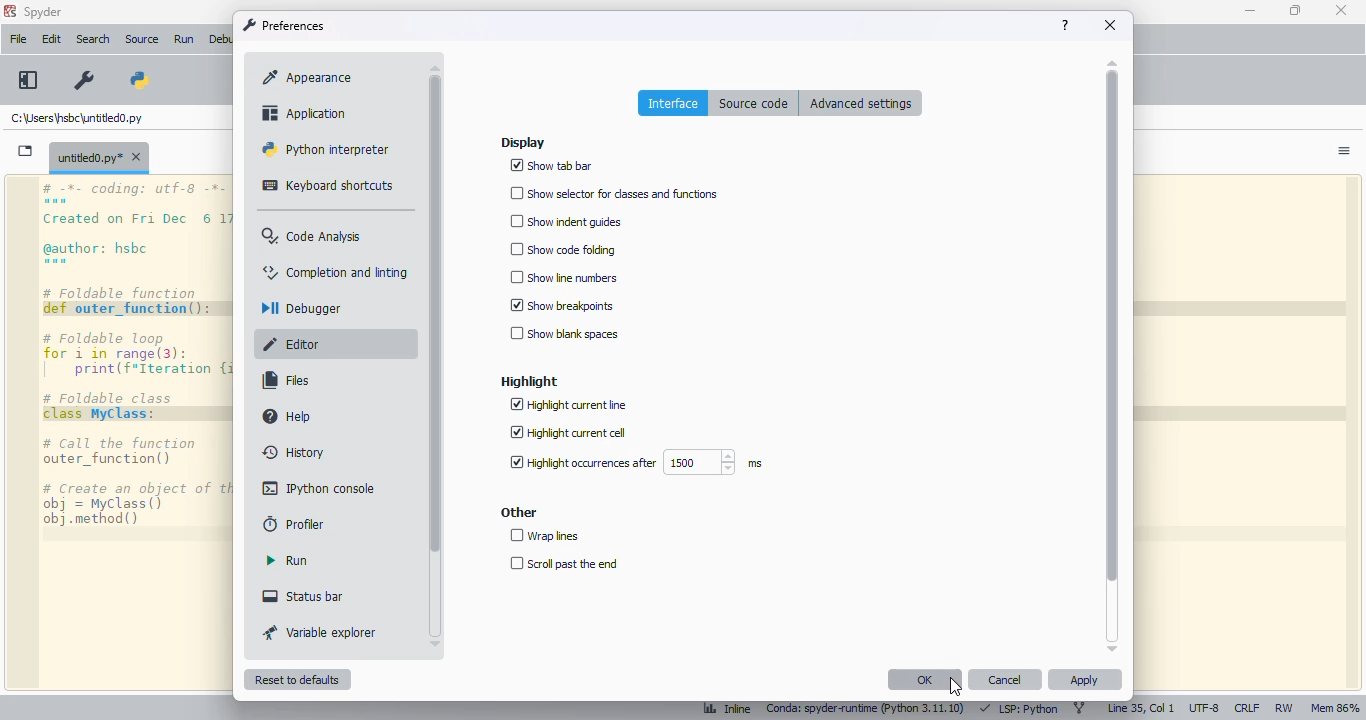  I want to click on LSP: python, so click(1019, 709).